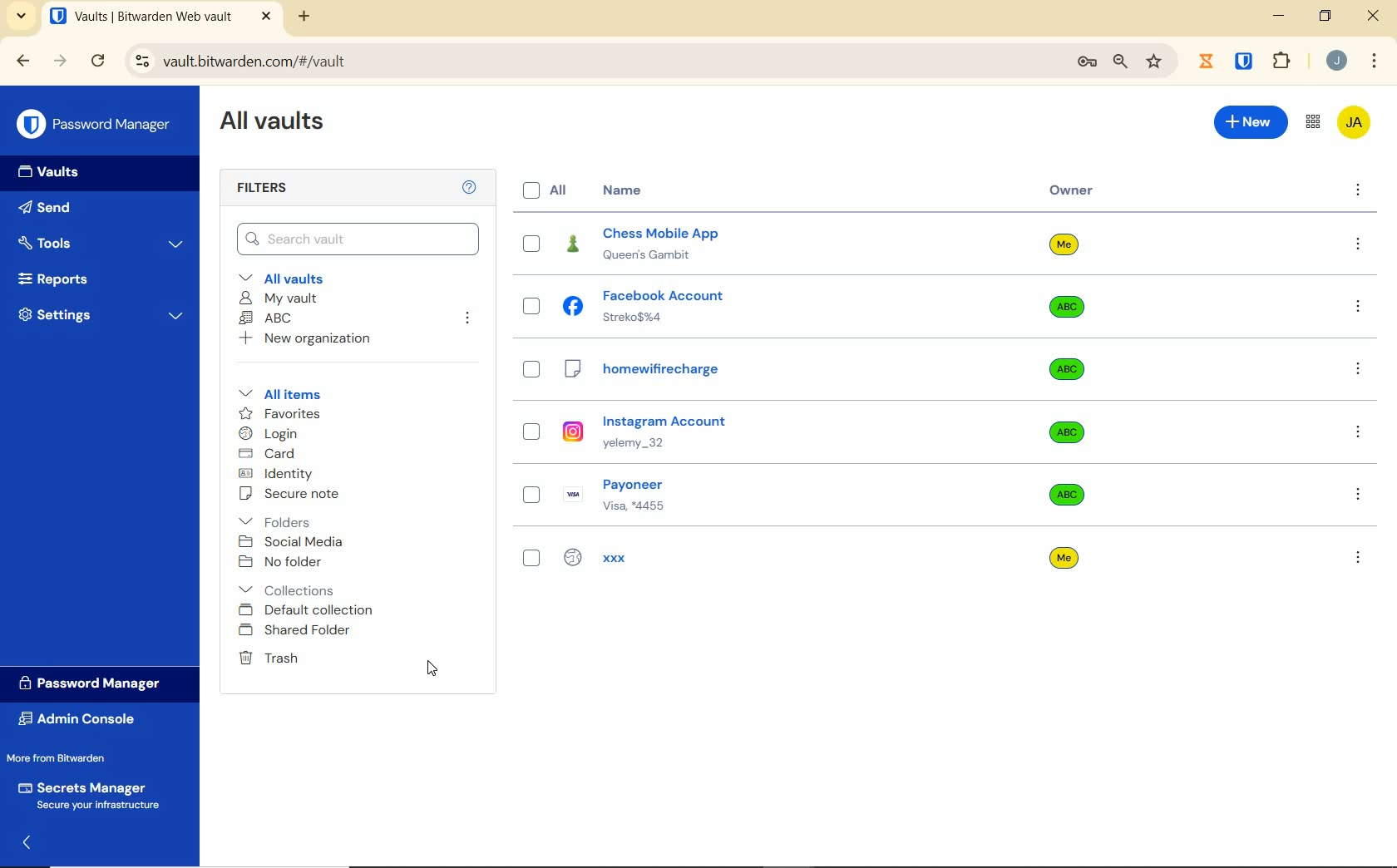  I want to click on Help, so click(467, 188).